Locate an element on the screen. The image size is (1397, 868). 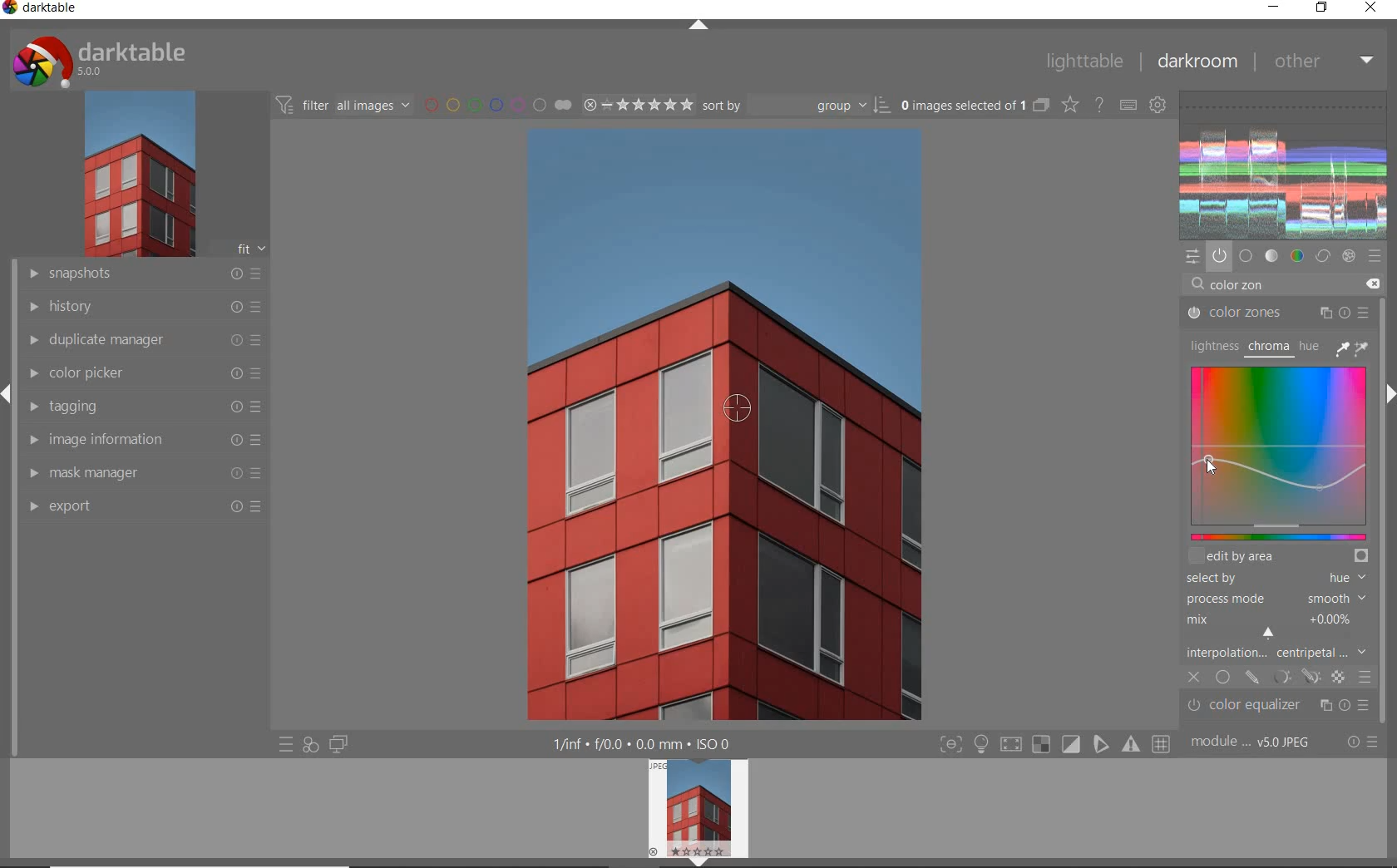
color is located at coordinates (1296, 256).